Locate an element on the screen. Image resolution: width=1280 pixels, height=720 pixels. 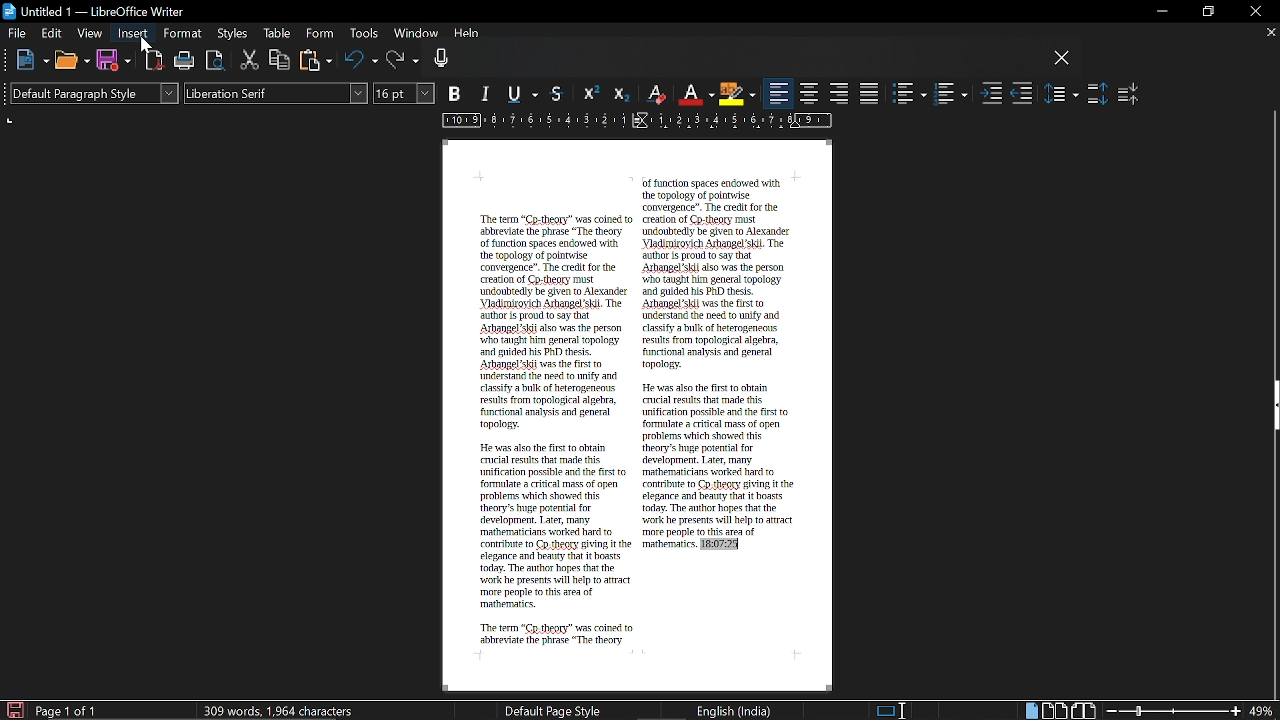
Undo is located at coordinates (361, 61).